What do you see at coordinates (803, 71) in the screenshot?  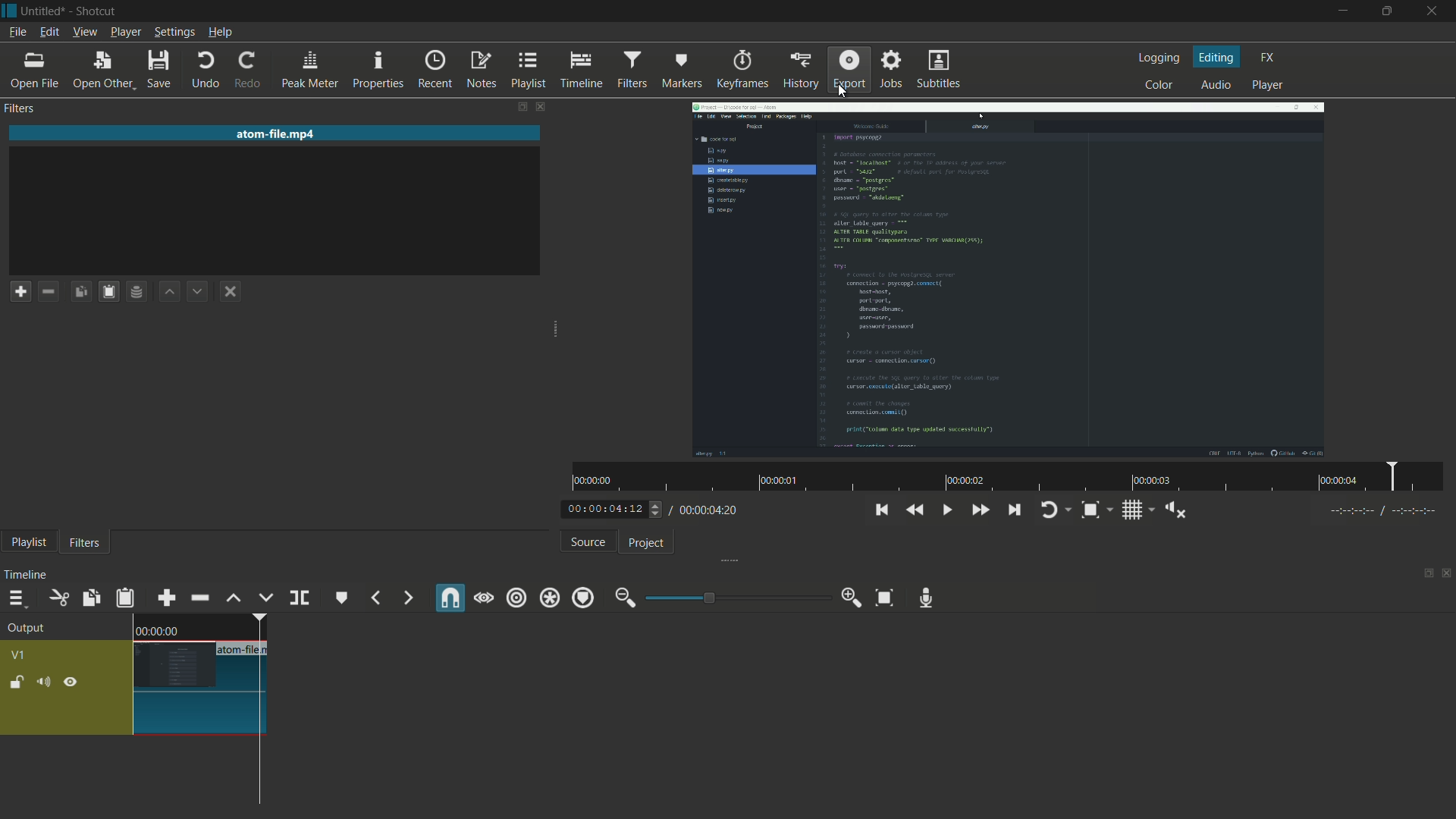 I see `history` at bounding box center [803, 71].